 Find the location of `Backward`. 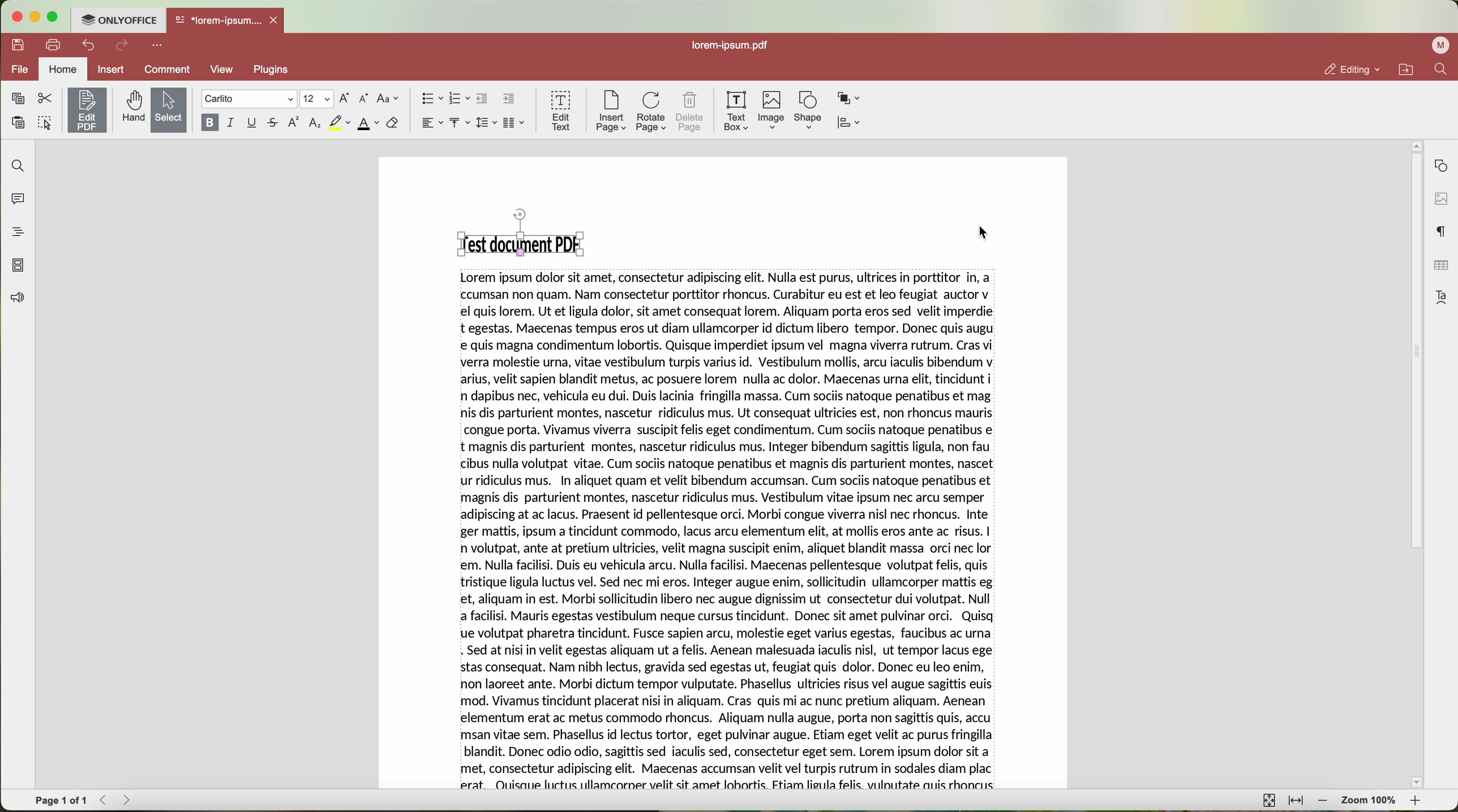

Backward is located at coordinates (105, 800).